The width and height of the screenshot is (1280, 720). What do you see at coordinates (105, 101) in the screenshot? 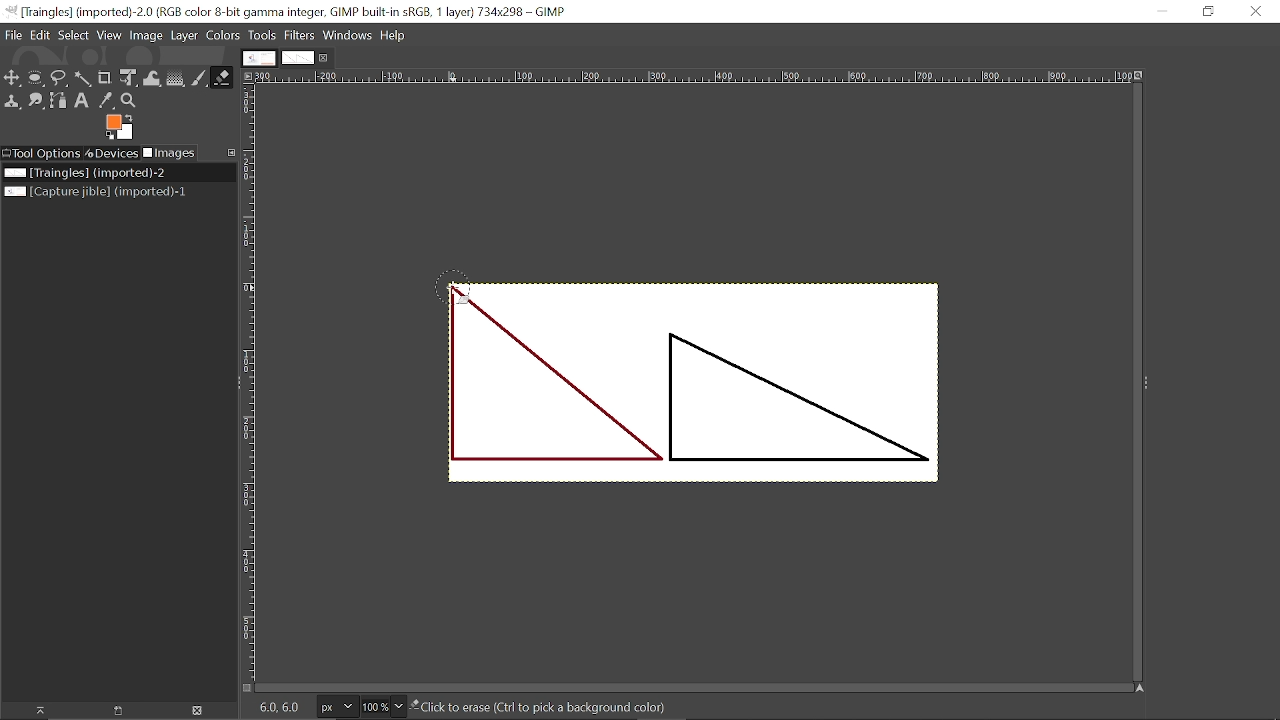
I see `Color picker tool` at bounding box center [105, 101].